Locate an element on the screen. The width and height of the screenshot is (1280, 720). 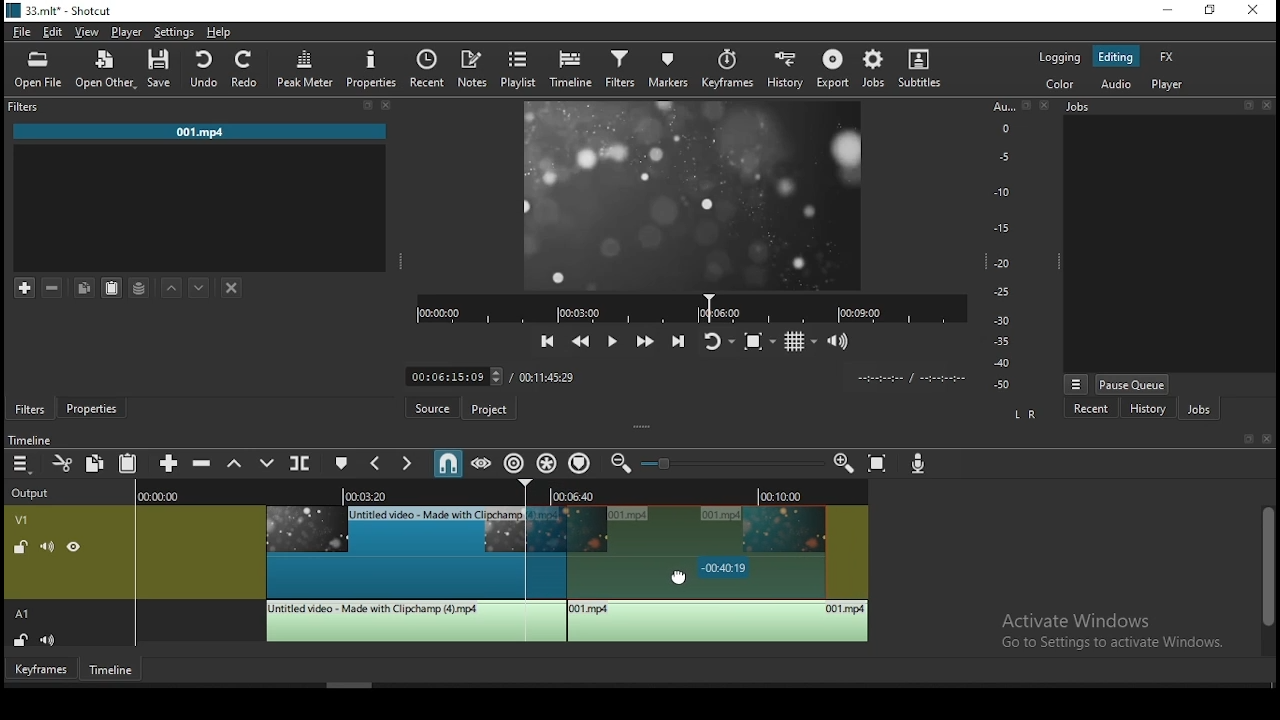
filters is located at coordinates (29, 408).